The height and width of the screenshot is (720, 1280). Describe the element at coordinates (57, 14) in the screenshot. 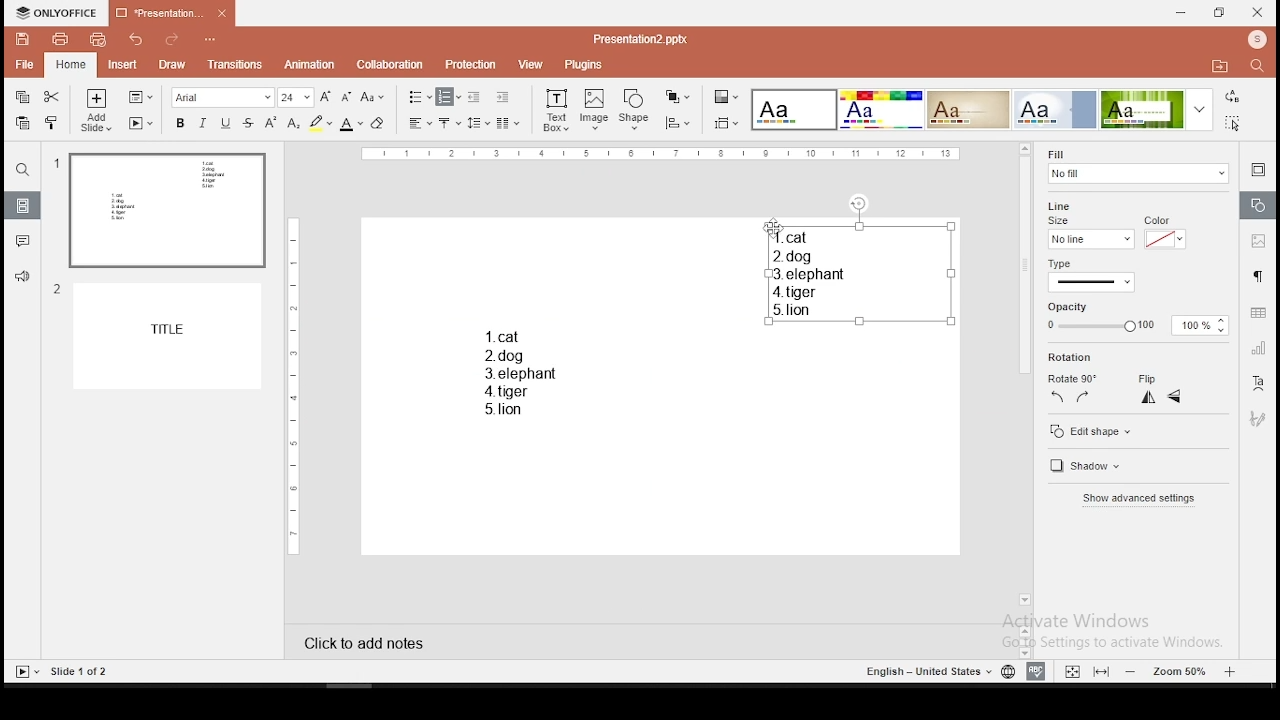

I see `icon` at that location.